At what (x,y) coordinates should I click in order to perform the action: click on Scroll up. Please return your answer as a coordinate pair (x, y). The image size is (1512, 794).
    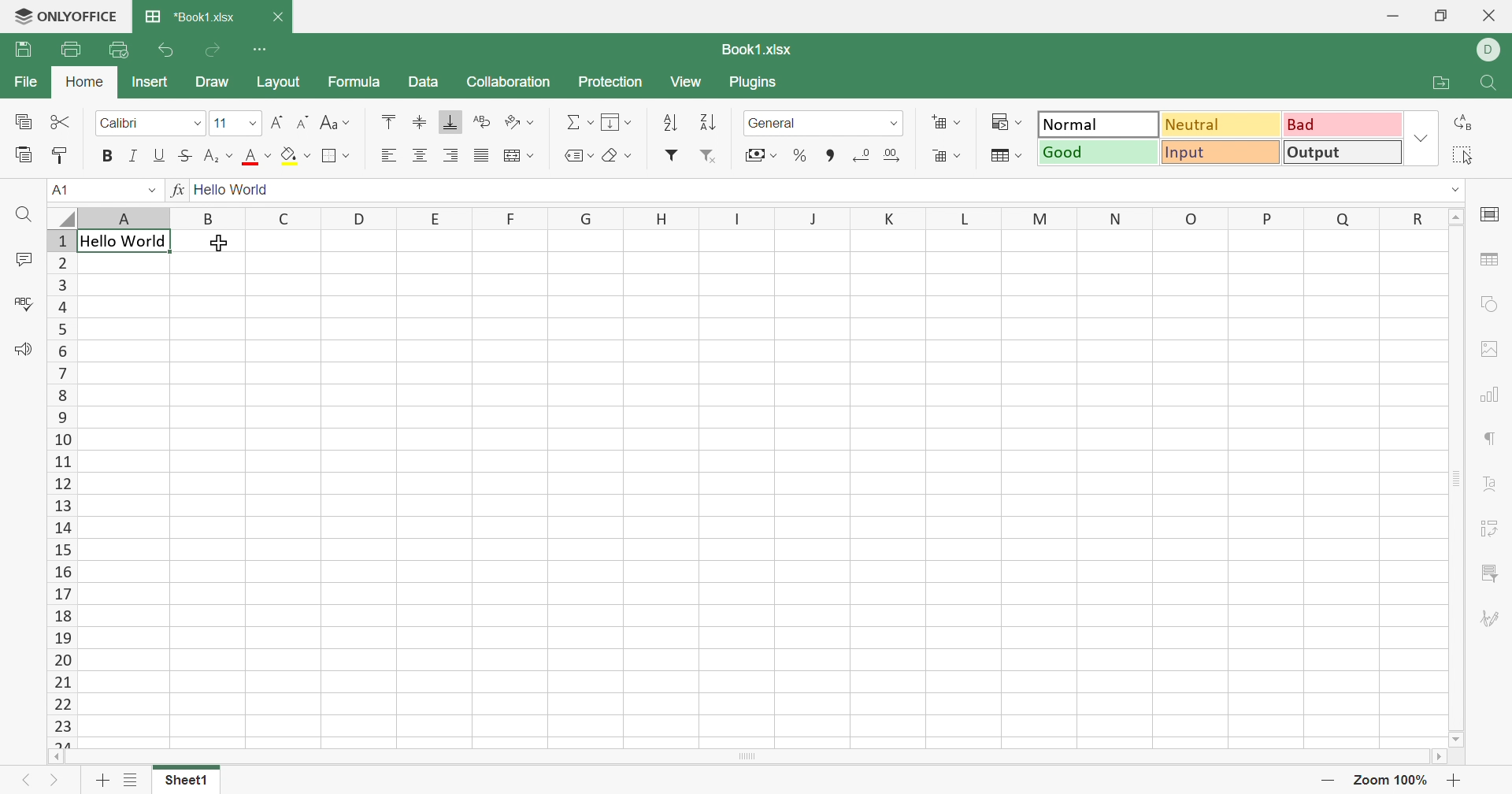
    Looking at the image, I should click on (1456, 217).